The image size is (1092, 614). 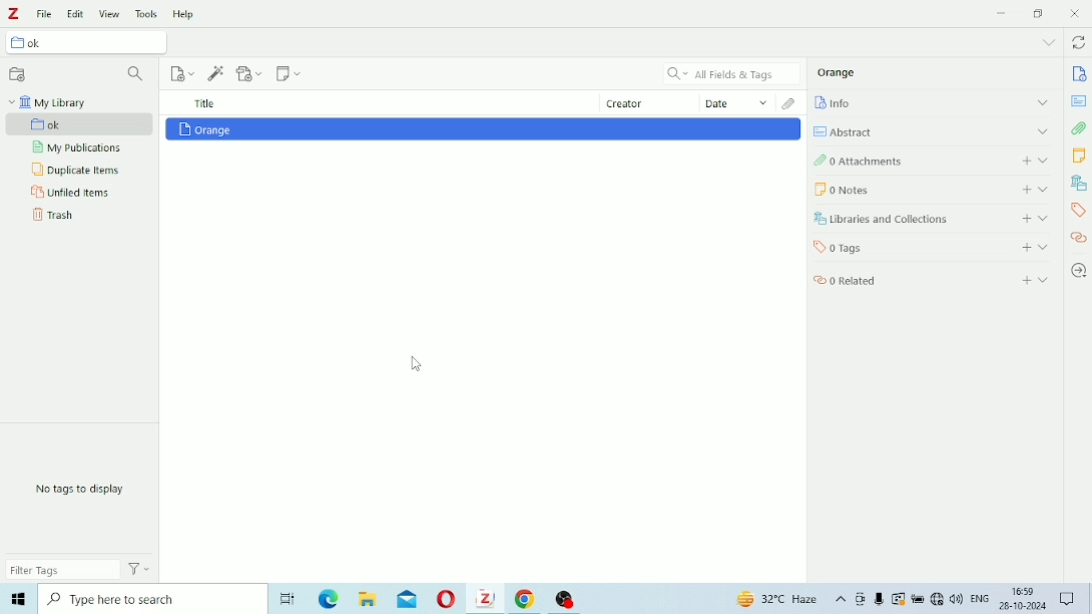 I want to click on Type here to search, so click(x=149, y=598).